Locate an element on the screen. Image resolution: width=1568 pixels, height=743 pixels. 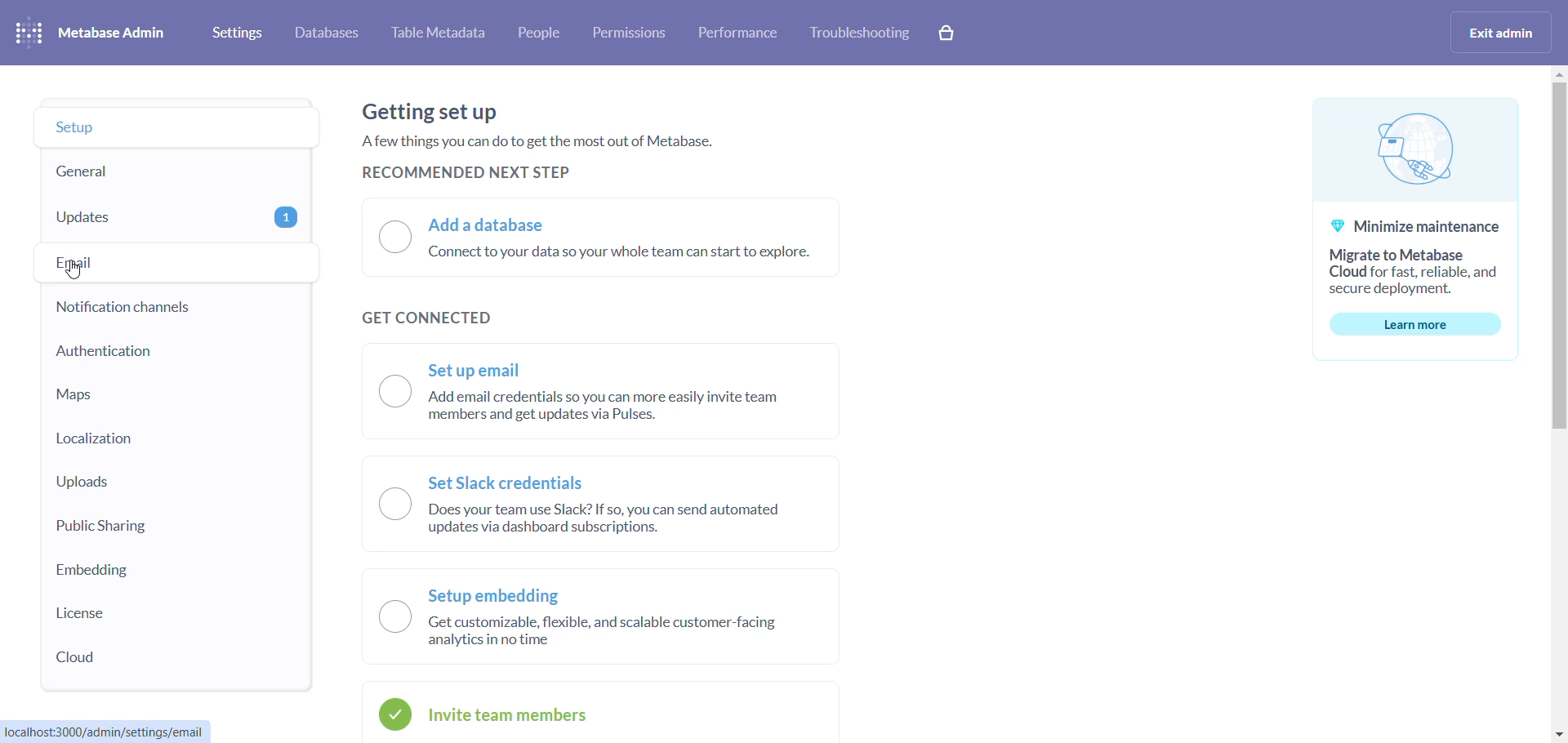
cloud is located at coordinates (148, 657).